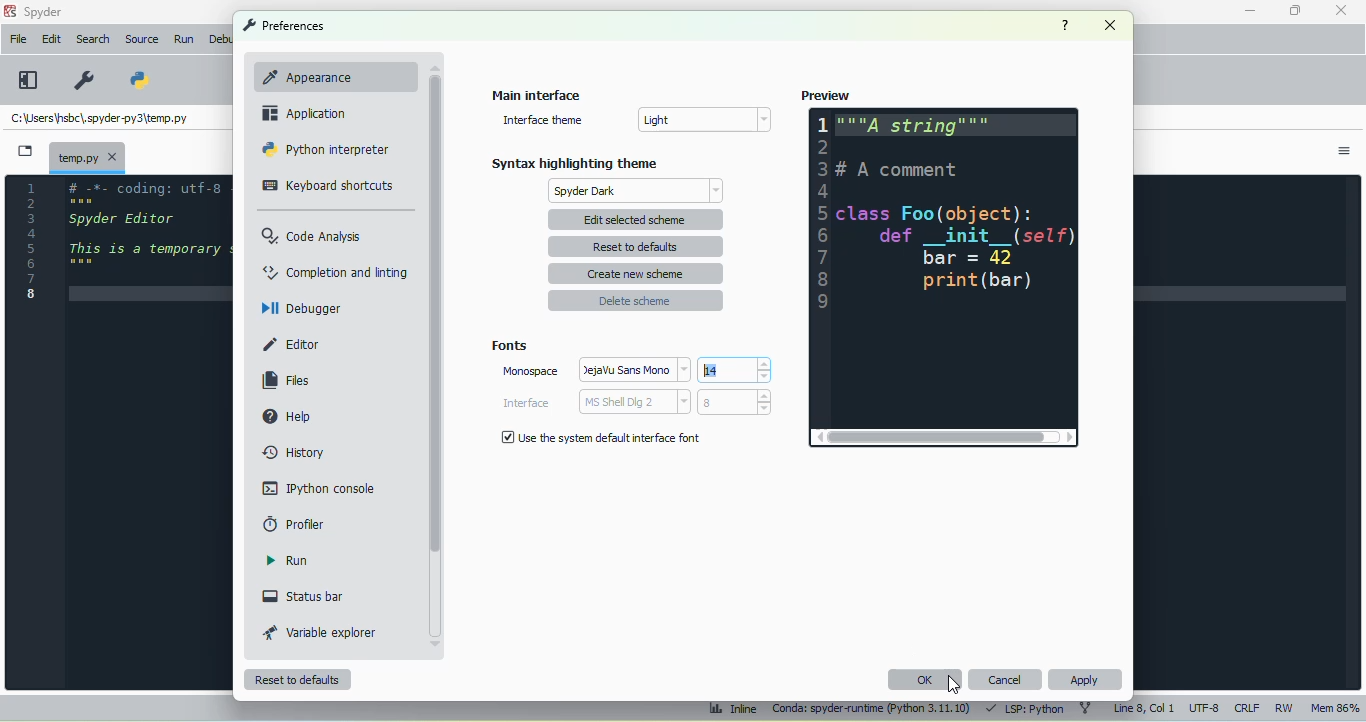 Image resolution: width=1366 pixels, height=722 pixels. I want to click on apply, so click(1086, 680).